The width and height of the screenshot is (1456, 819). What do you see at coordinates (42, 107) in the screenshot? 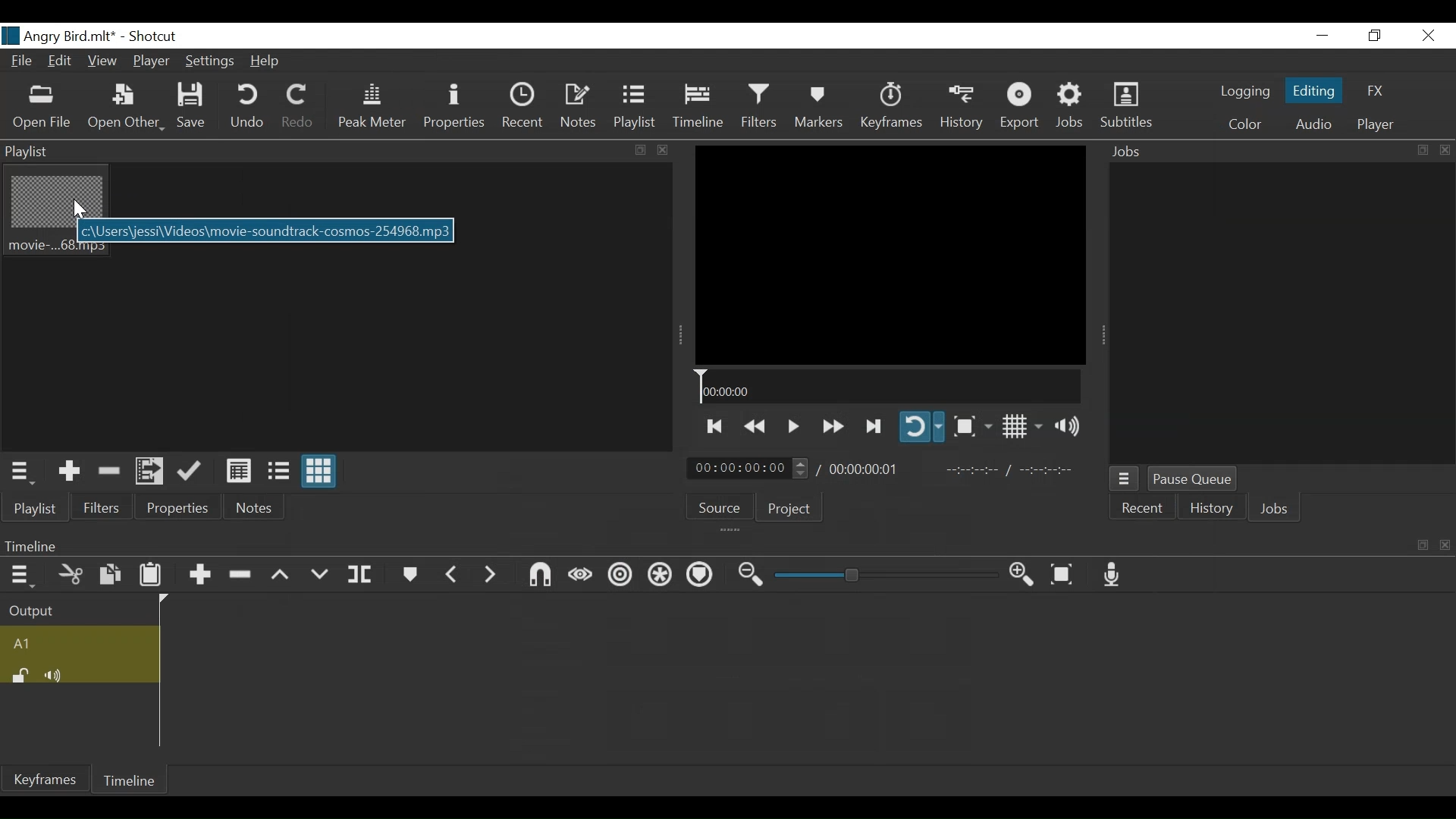
I see `Open File` at bounding box center [42, 107].